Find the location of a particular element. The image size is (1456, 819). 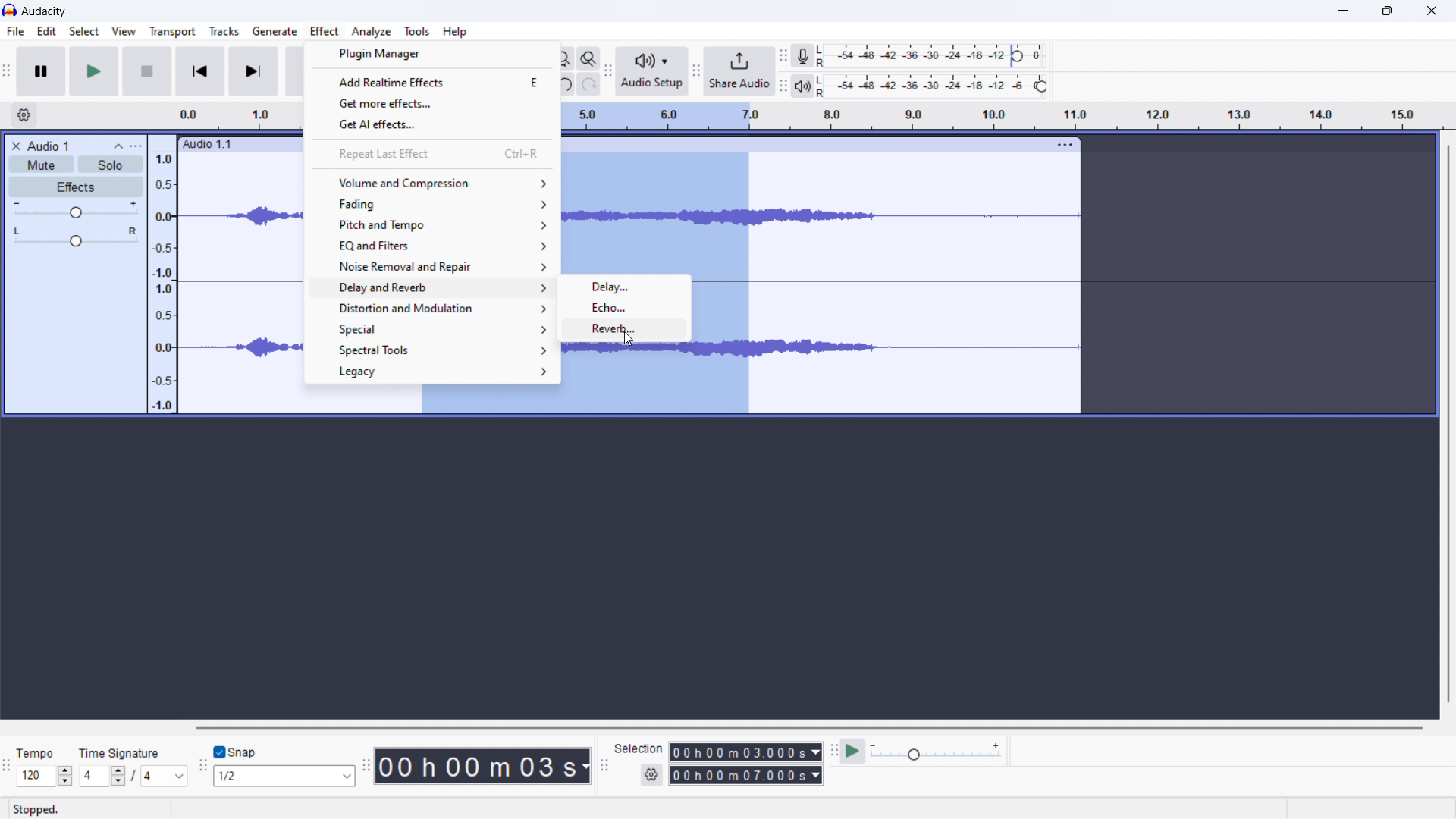

eq and filters is located at coordinates (430, 245).